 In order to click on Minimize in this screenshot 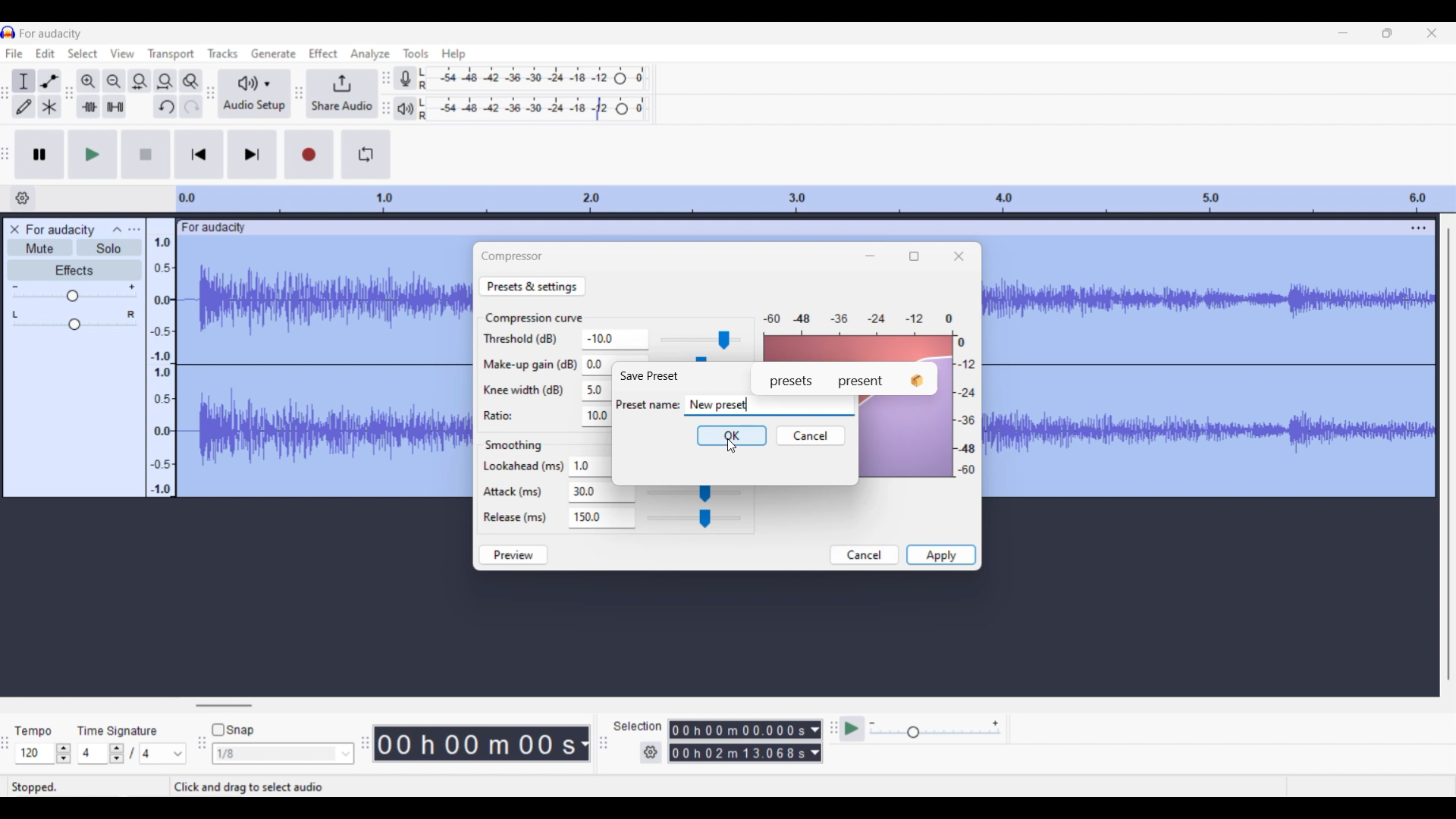, I will do `click(870, 256)`.